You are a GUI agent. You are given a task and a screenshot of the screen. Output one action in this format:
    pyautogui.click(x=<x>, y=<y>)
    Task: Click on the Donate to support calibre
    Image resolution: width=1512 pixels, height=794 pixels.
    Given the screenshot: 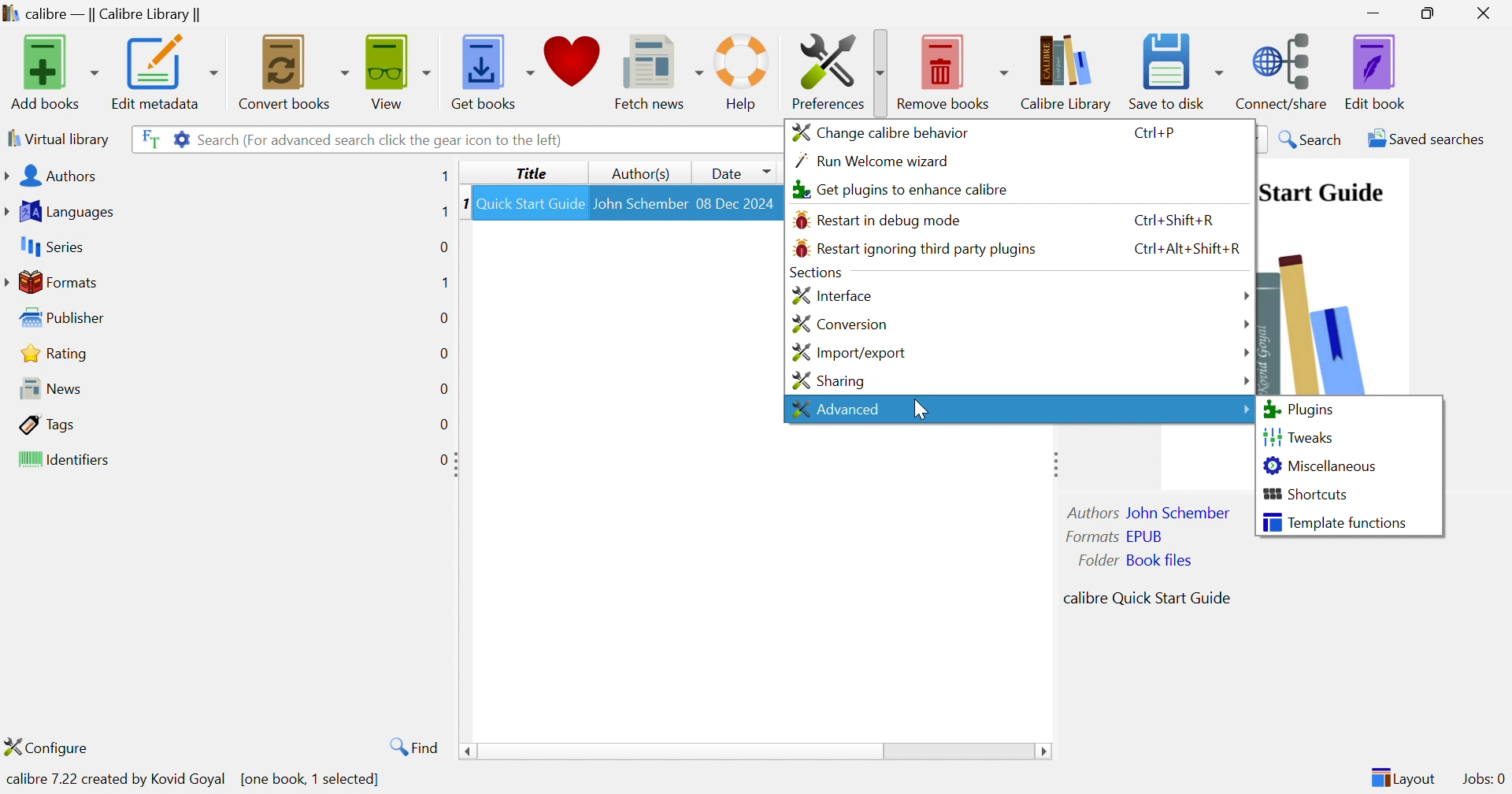 What is the action you would take?
    pyautogui.click(x=574, y=66)
    